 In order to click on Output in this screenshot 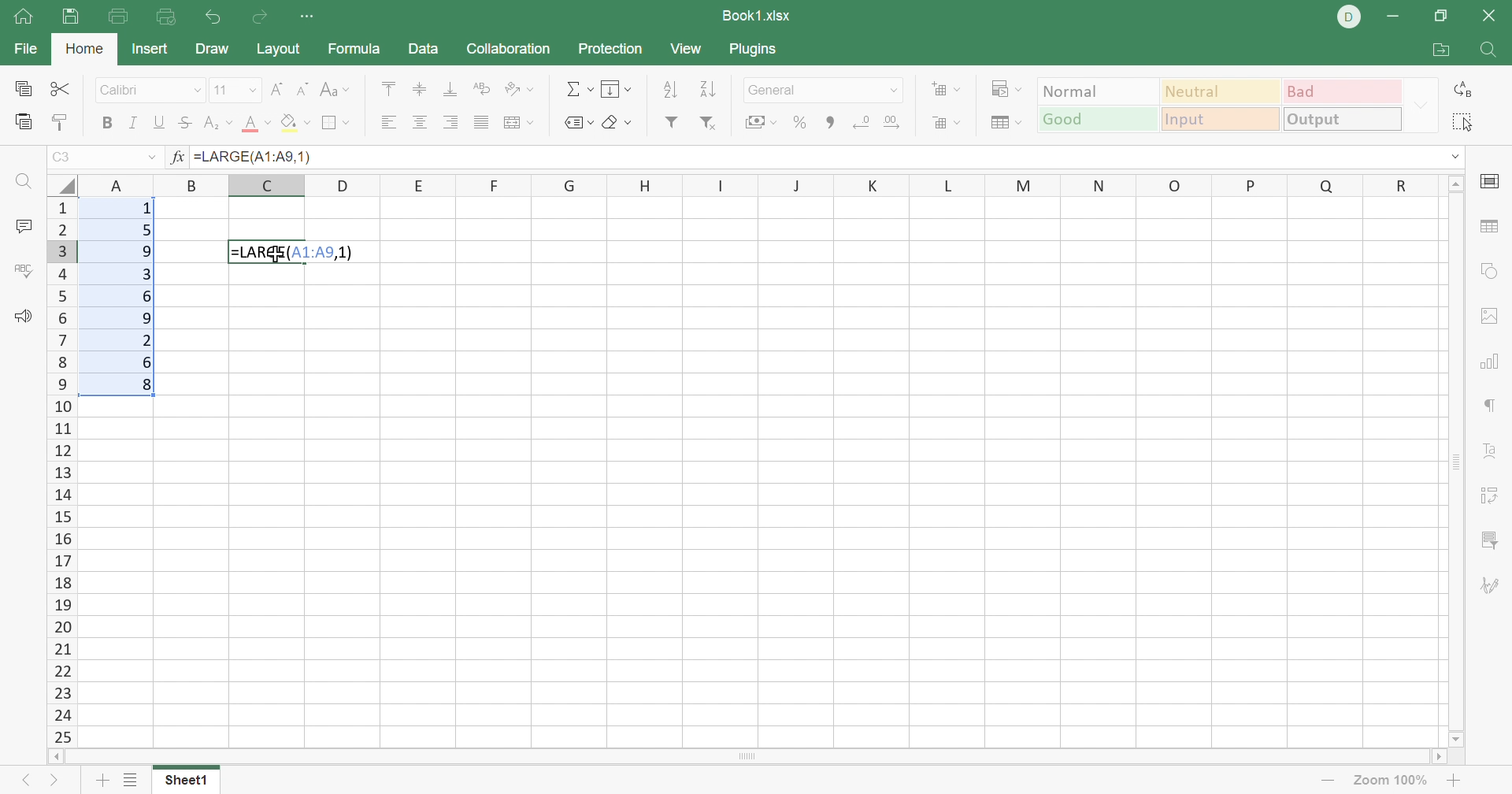, I will do `click(1339, 118)`.